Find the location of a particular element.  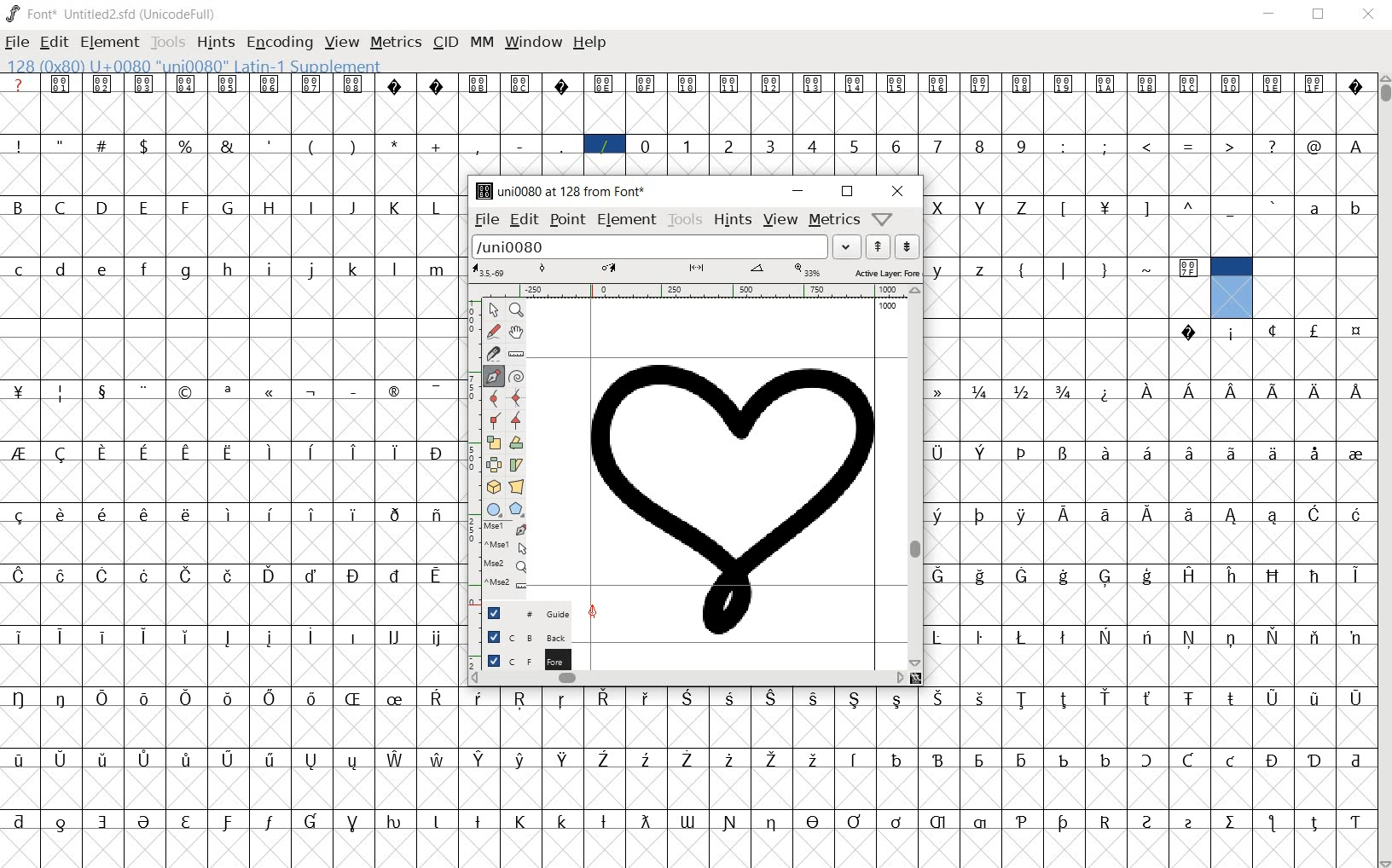

glyph is located at coordinates (1189, 84).